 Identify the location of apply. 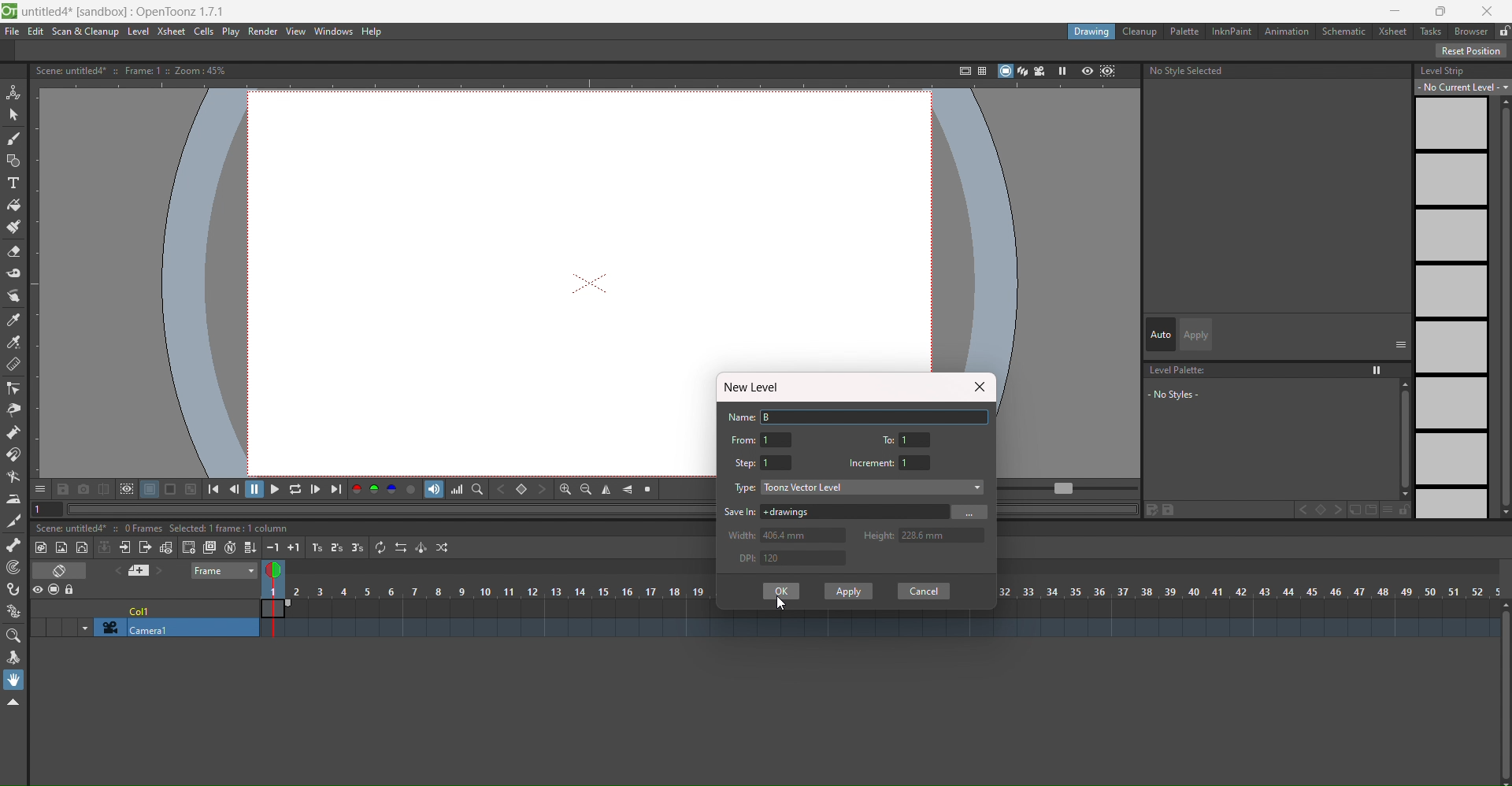
(1198, 335).